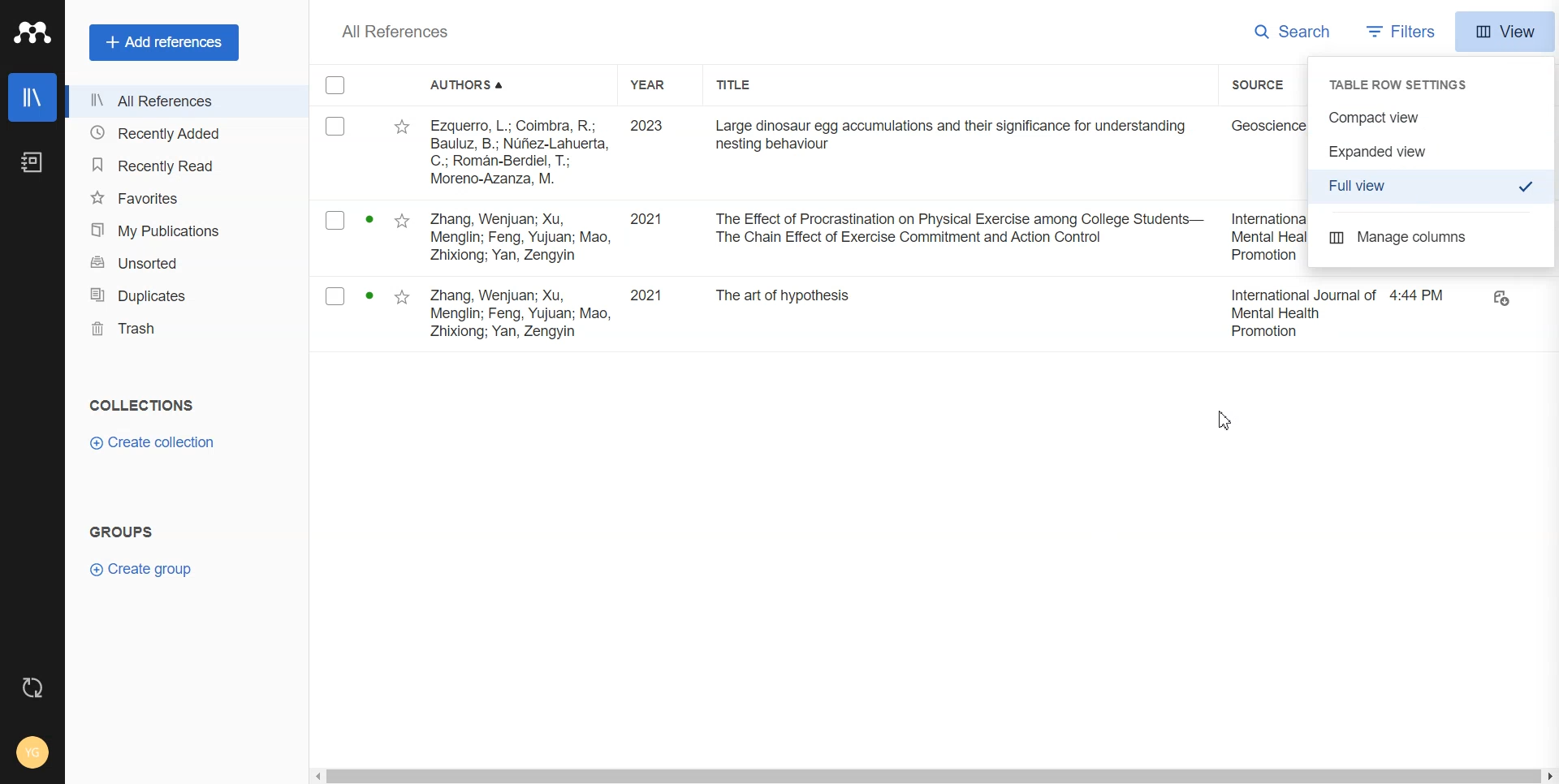 This screenshot has height=784, width=1559. I want to click on Starred, so click(404, 127).